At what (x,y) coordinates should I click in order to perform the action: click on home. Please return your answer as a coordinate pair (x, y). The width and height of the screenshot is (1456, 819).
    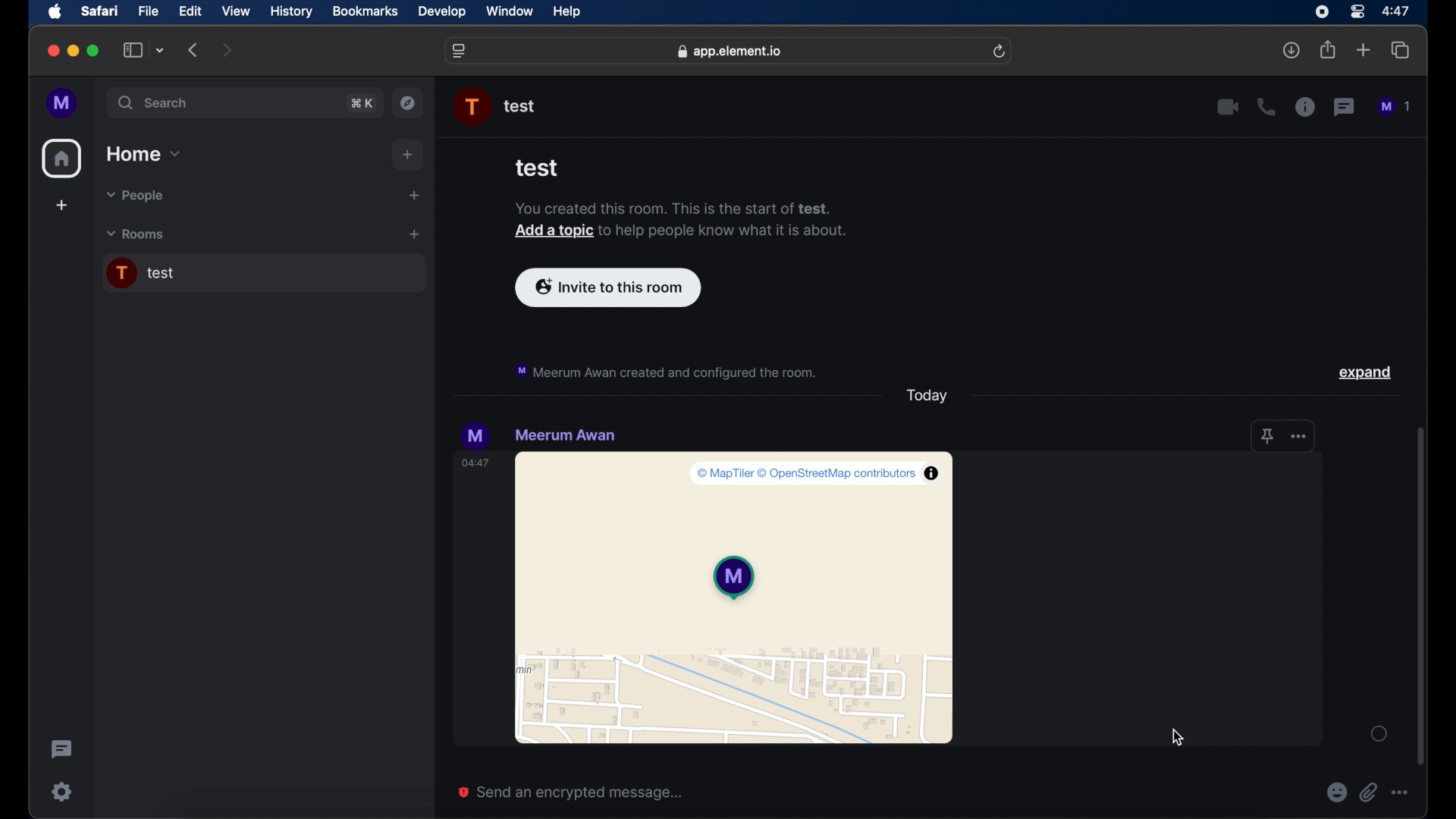
    Looking at the image, I should click on (62, 158).